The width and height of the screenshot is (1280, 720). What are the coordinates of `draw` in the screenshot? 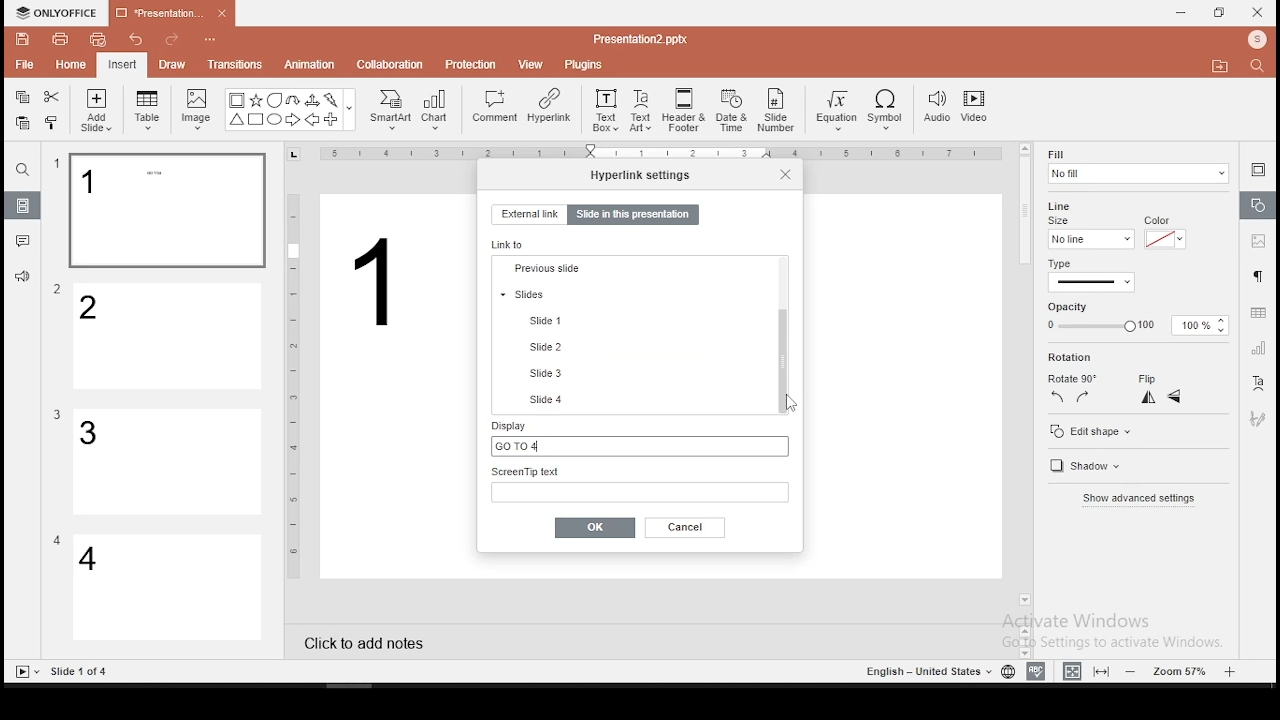 It's located at (173, 64).